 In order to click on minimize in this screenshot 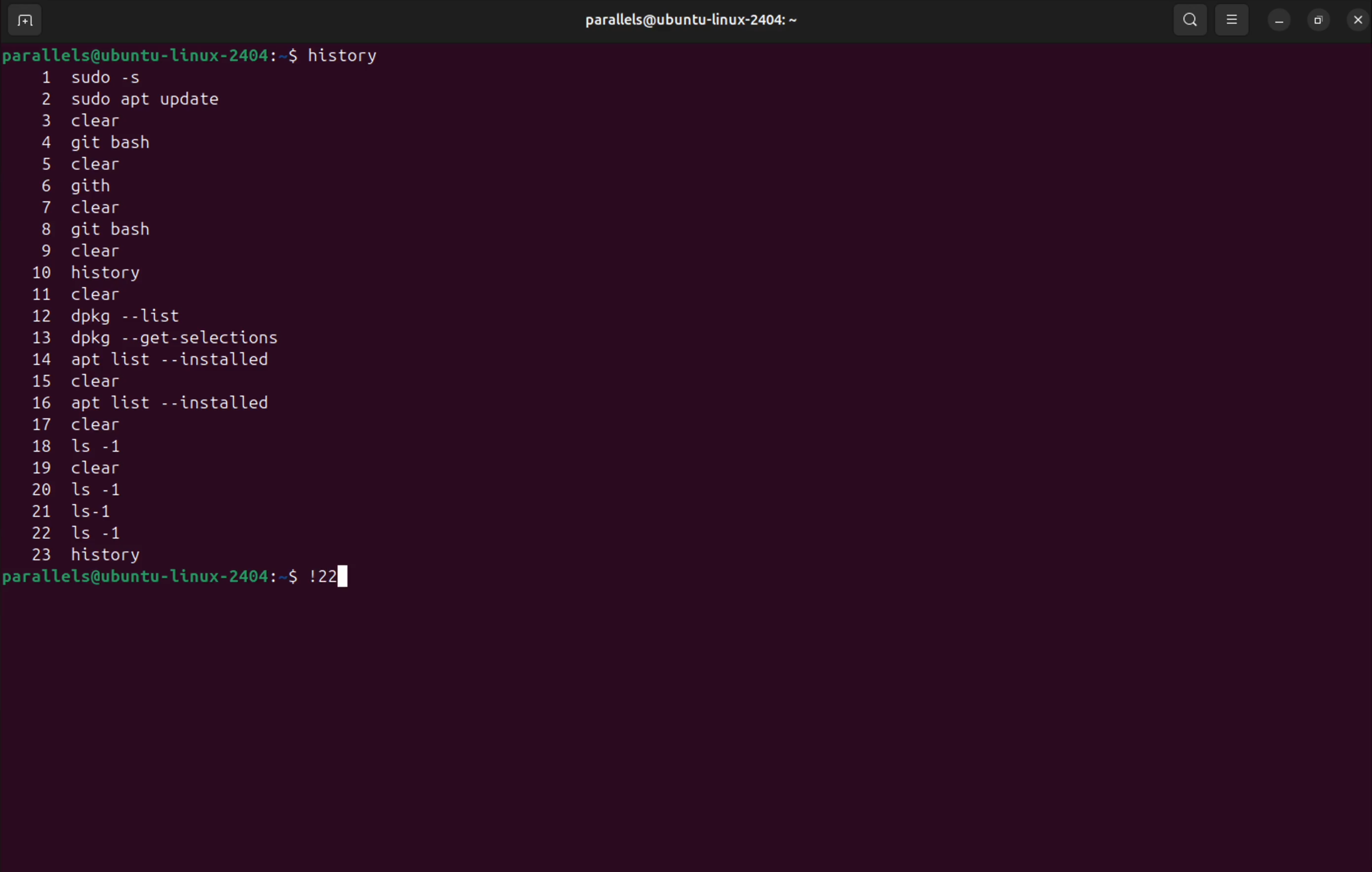, I will do `click(1279, 18)`.